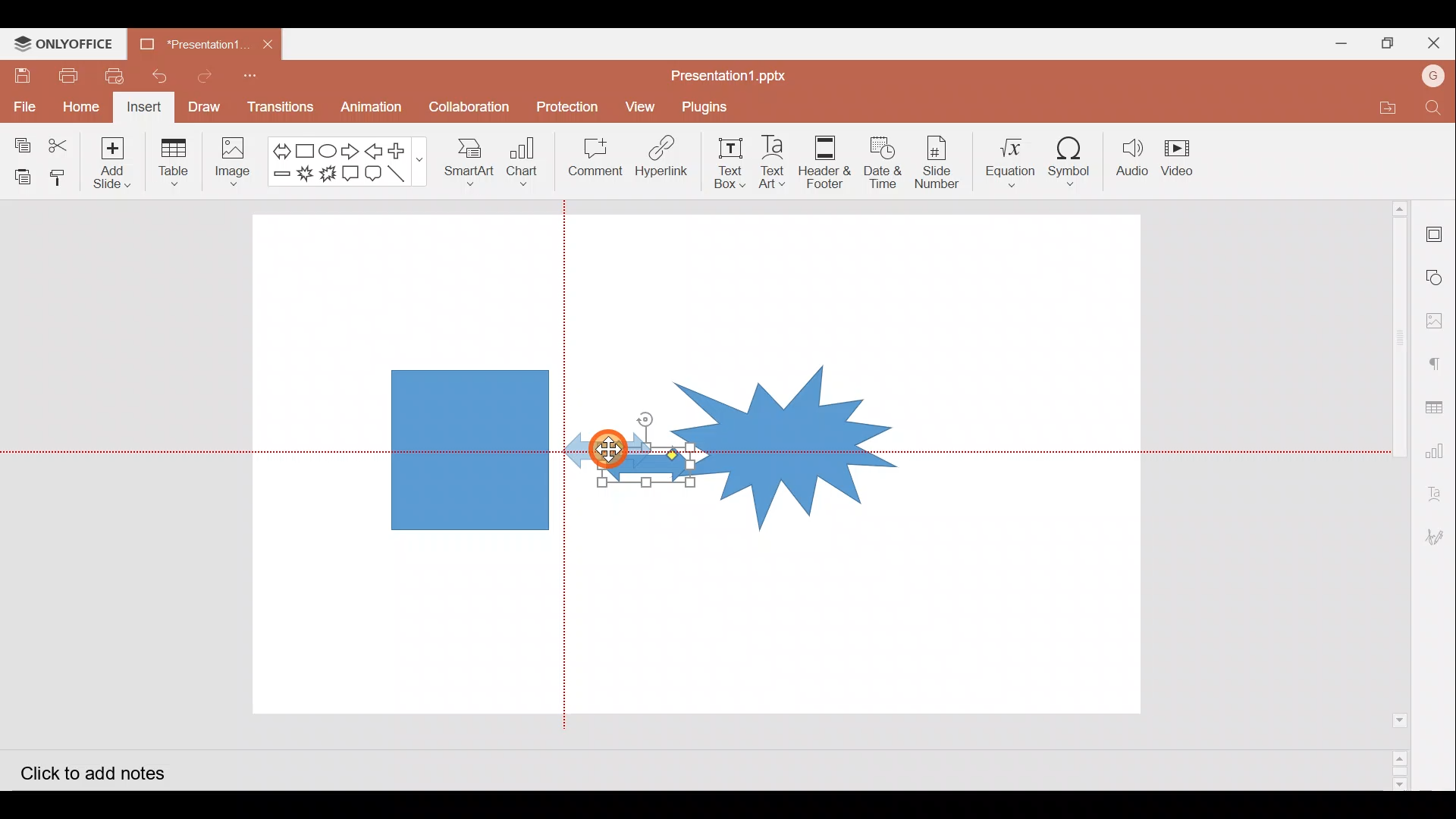  Describe the element at coordinates (1187, 159) in the screenshot. I see `Video` at that location.